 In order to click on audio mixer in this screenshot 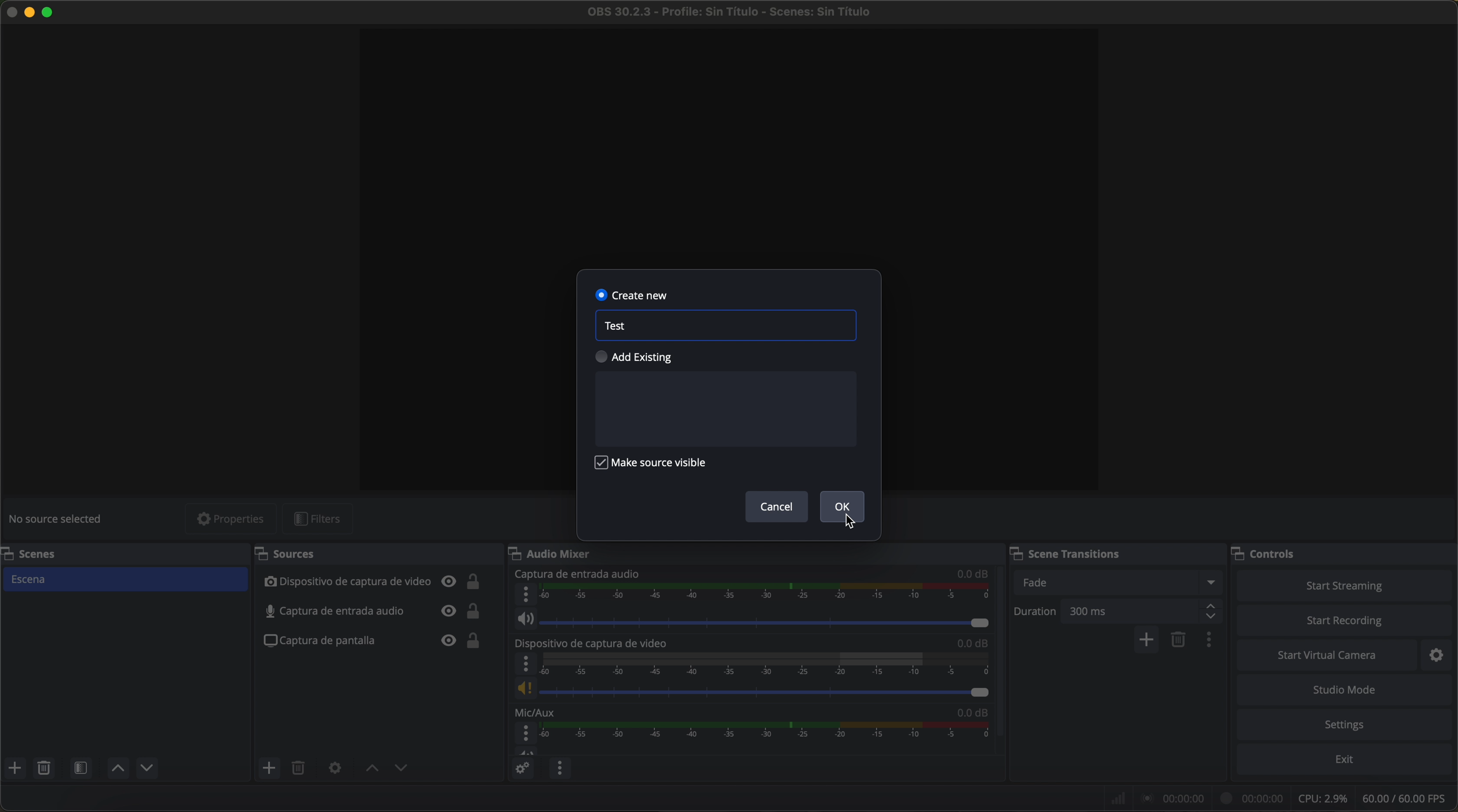, I will do `click(556, 553)`.